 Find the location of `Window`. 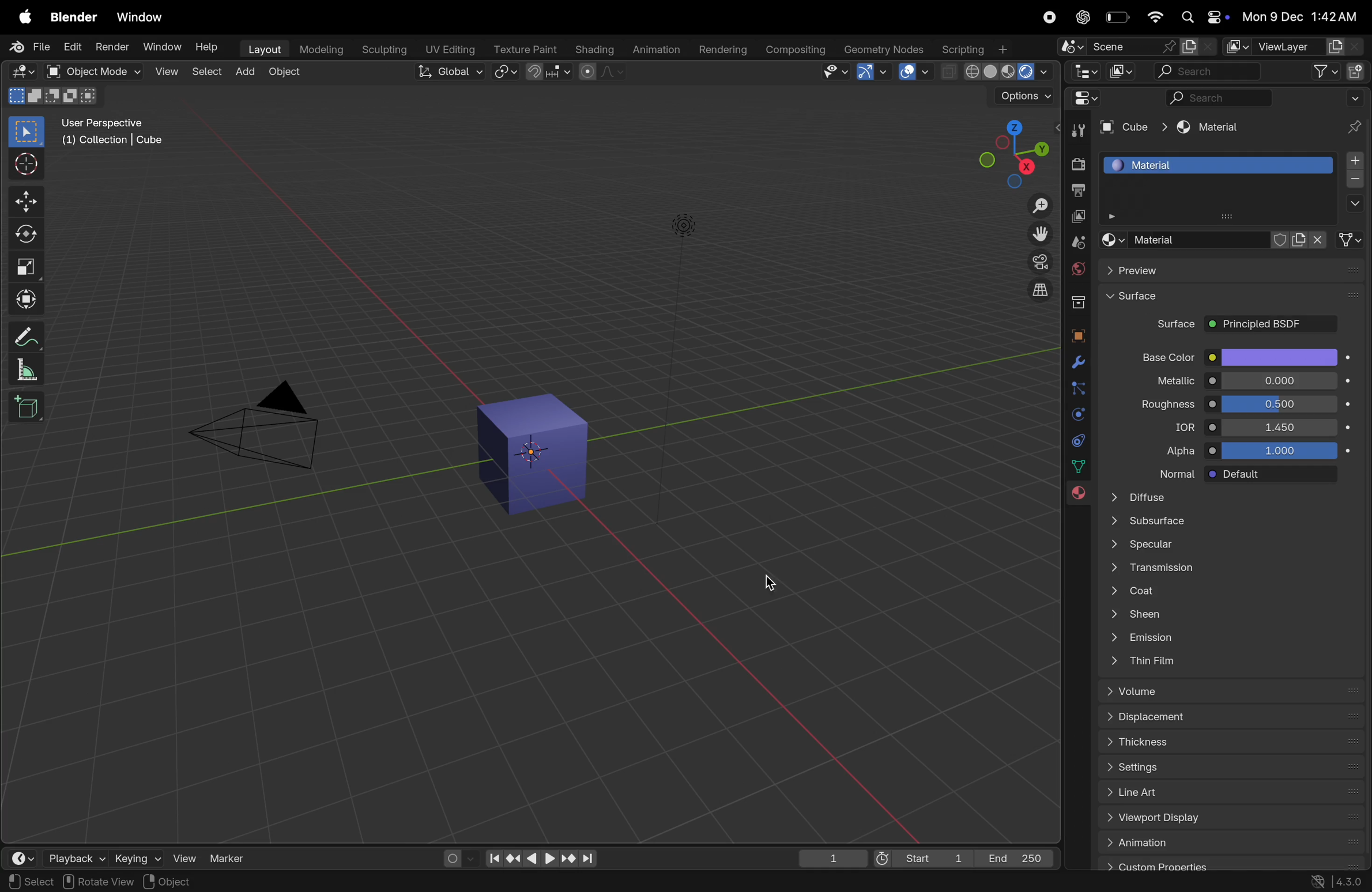

Window is located at coordinates (140, 18).